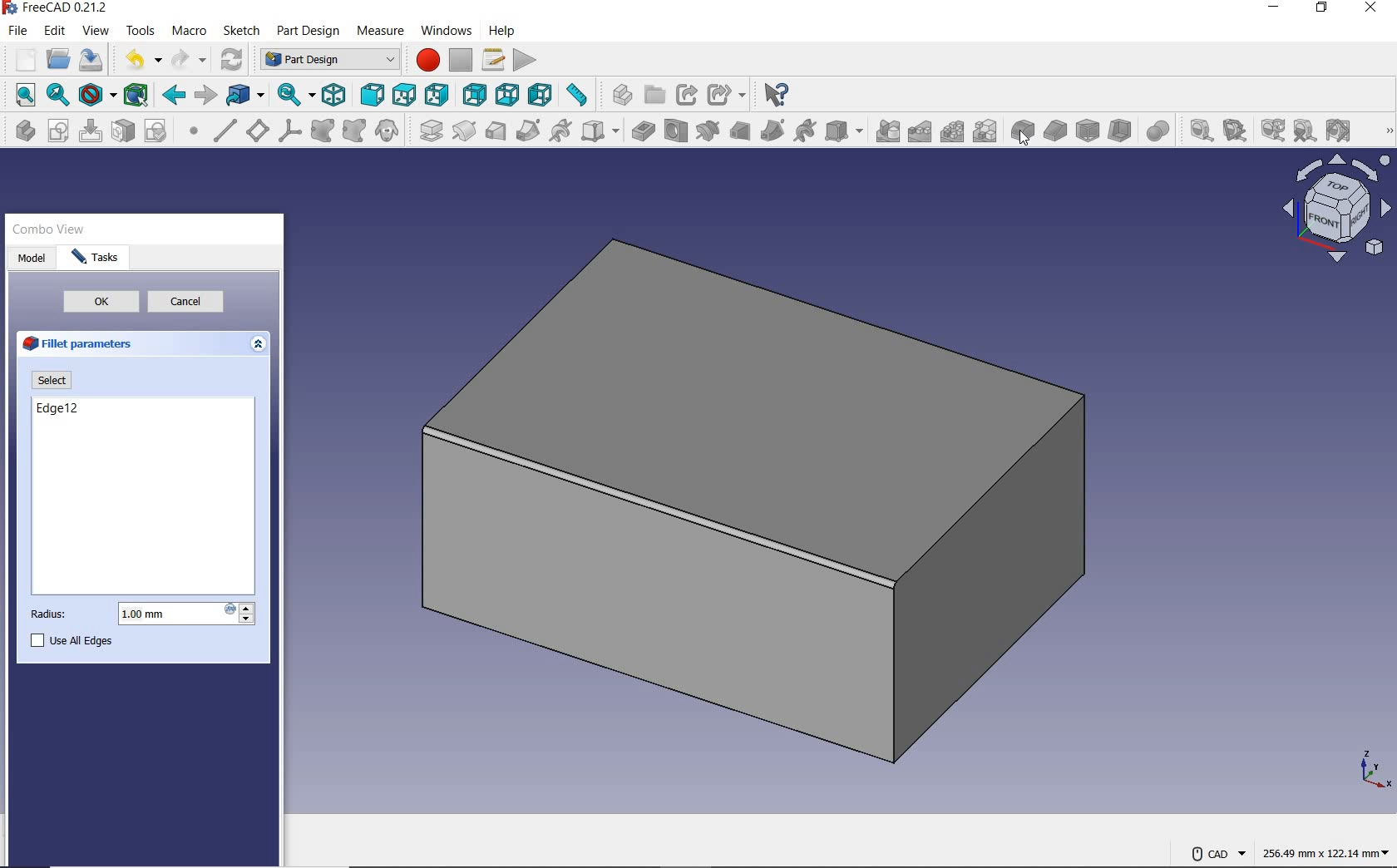 The image size is (1397, 868). What do you see at coordinates (49, 614) in the screenshot?
I see `radius` at bounding box center [49, 614].